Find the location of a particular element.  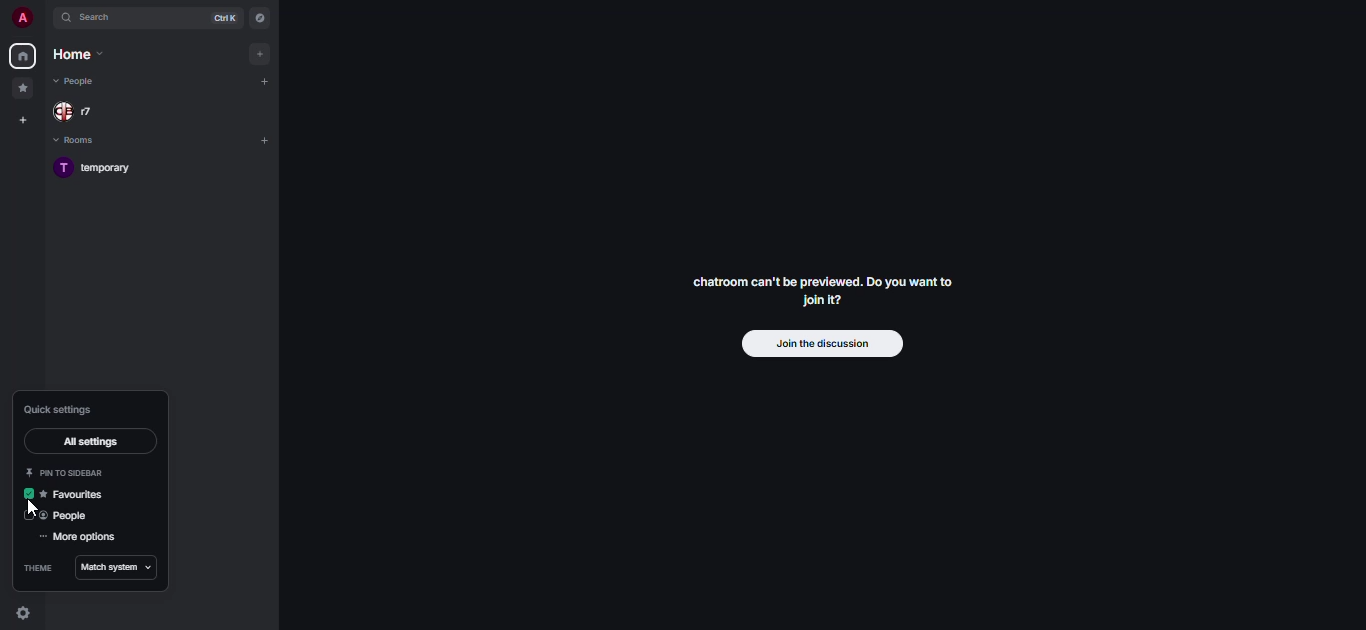

people is located at coordinates (70, 517).